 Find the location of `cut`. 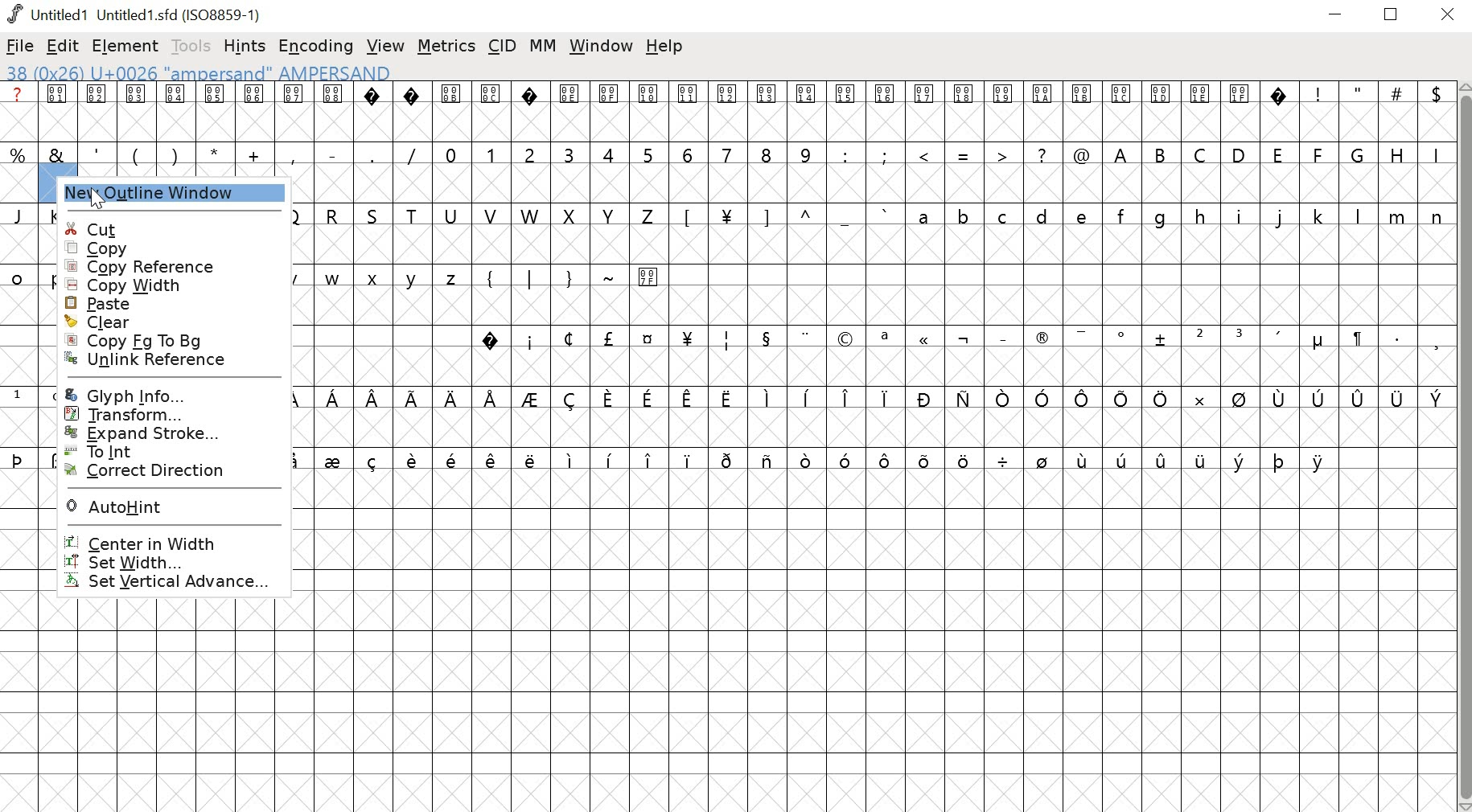

cut is located at coordinates (164, 227).